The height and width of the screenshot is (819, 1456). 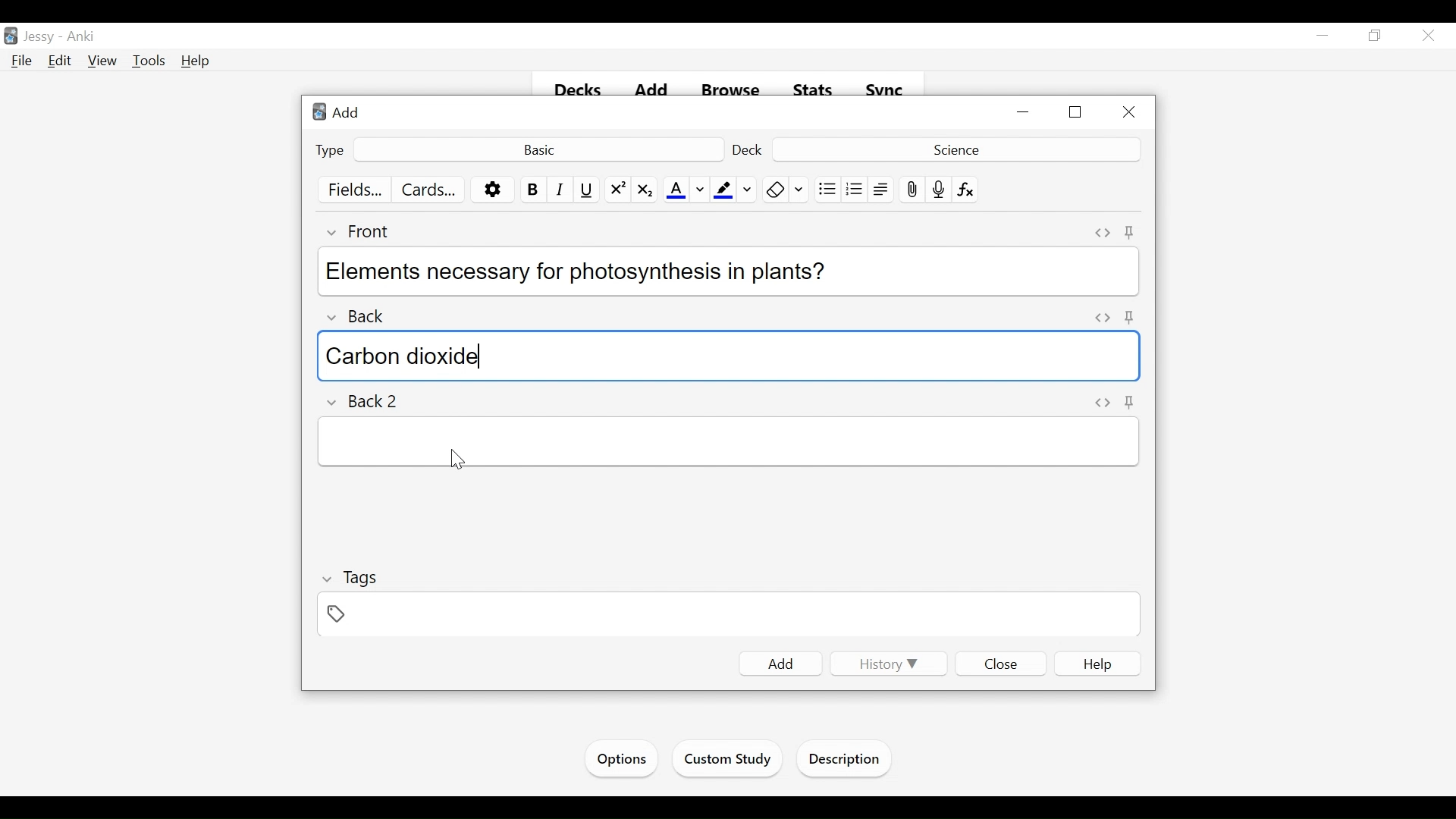 What do you see at coordinates (827, 190) in the screenshot?
I see `Unordered list` at bounding box center [827, 190].